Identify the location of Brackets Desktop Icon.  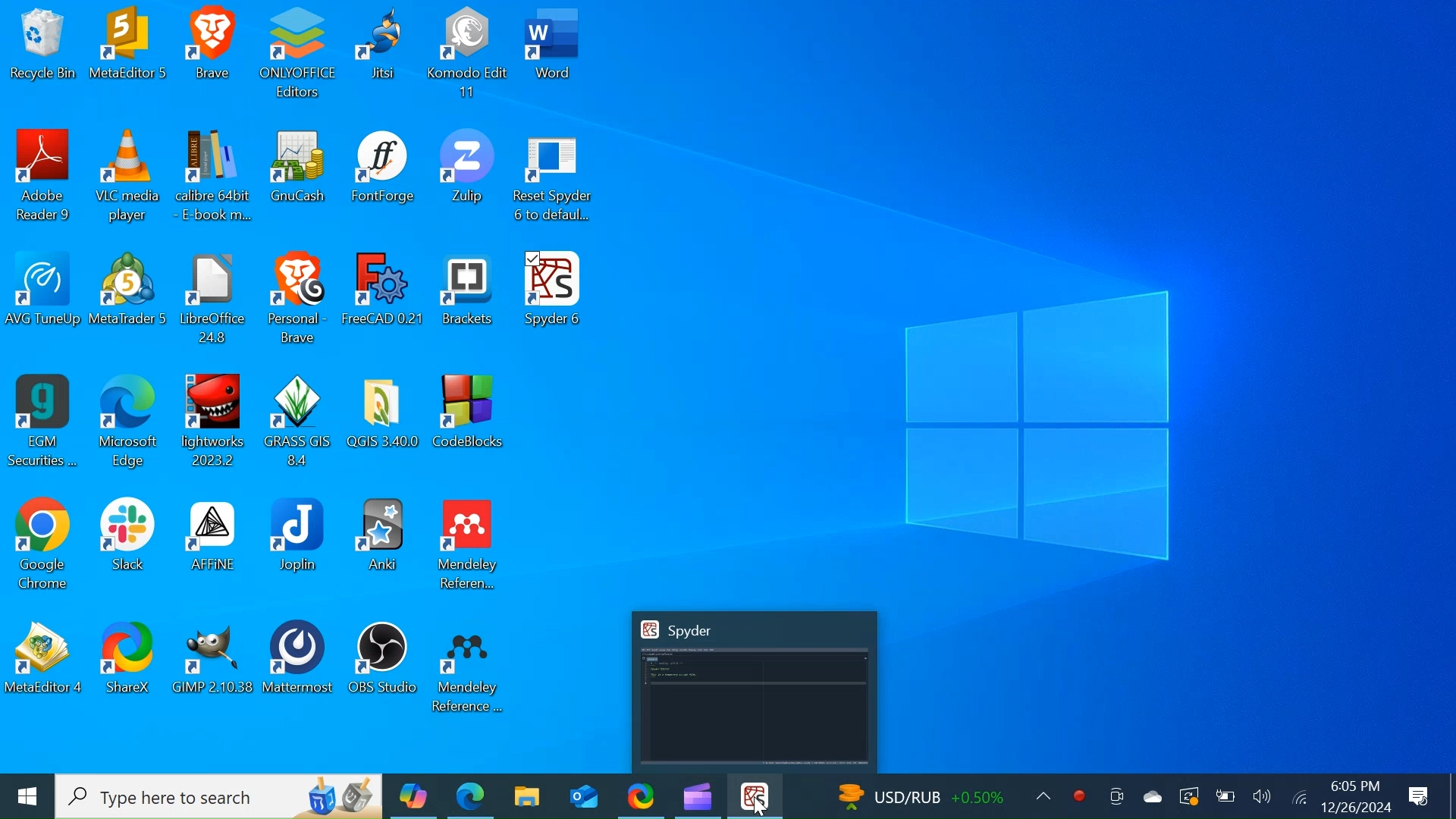
(467, 301).